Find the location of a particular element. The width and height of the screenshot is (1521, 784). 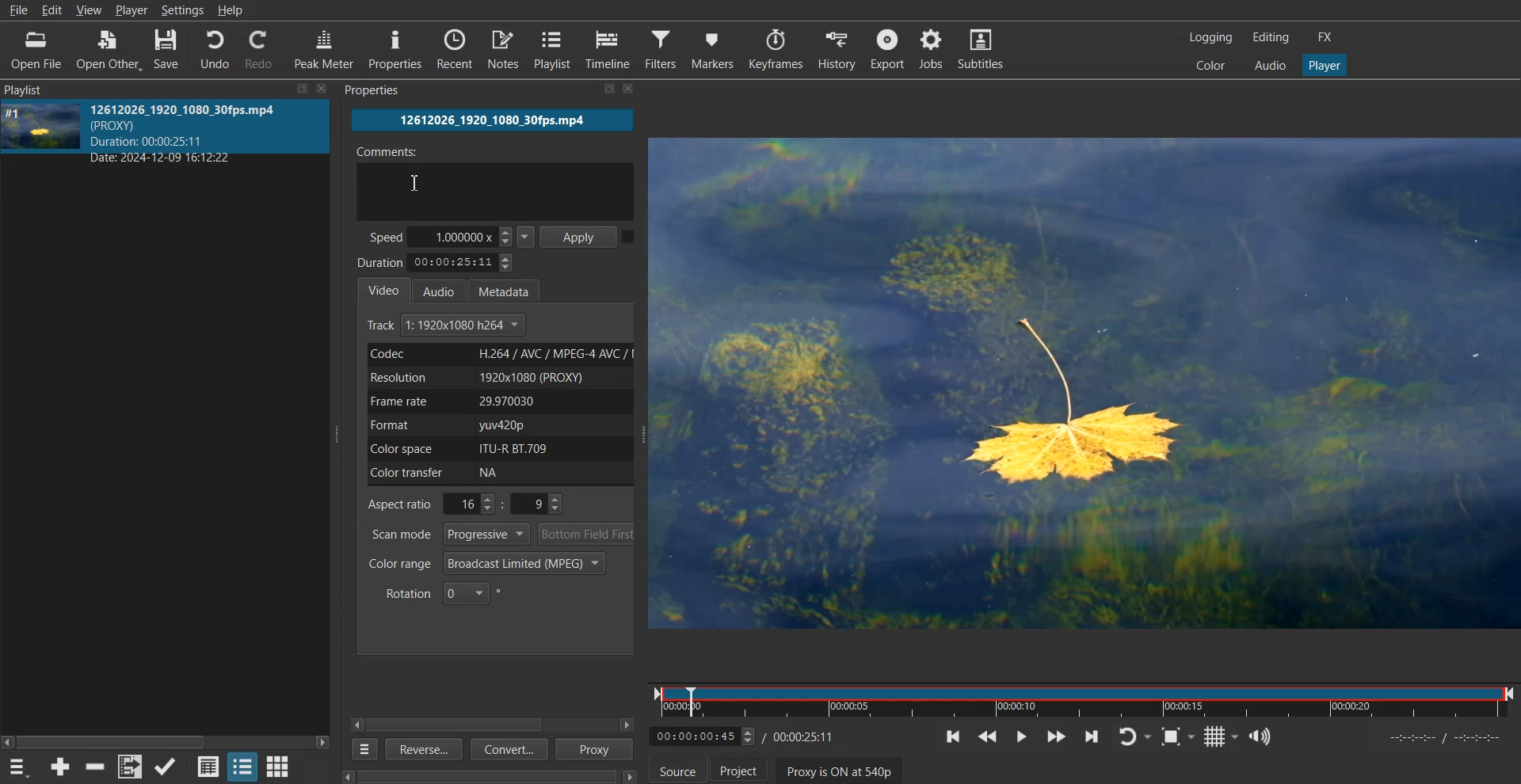

Skip to the next point is located at coordinates (1092, 736).